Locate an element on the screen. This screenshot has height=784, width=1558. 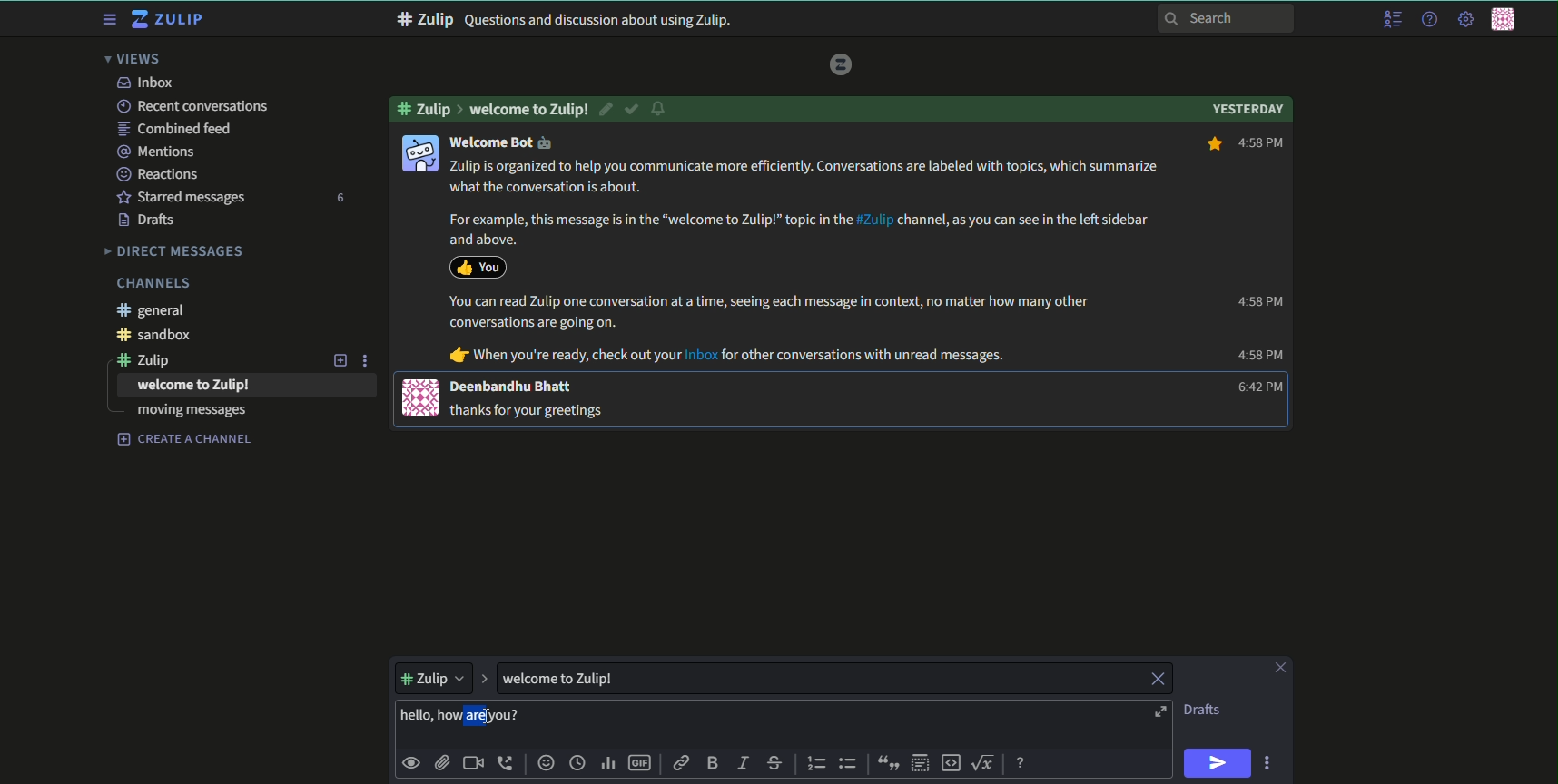
 is located at coordinates (431, 126).